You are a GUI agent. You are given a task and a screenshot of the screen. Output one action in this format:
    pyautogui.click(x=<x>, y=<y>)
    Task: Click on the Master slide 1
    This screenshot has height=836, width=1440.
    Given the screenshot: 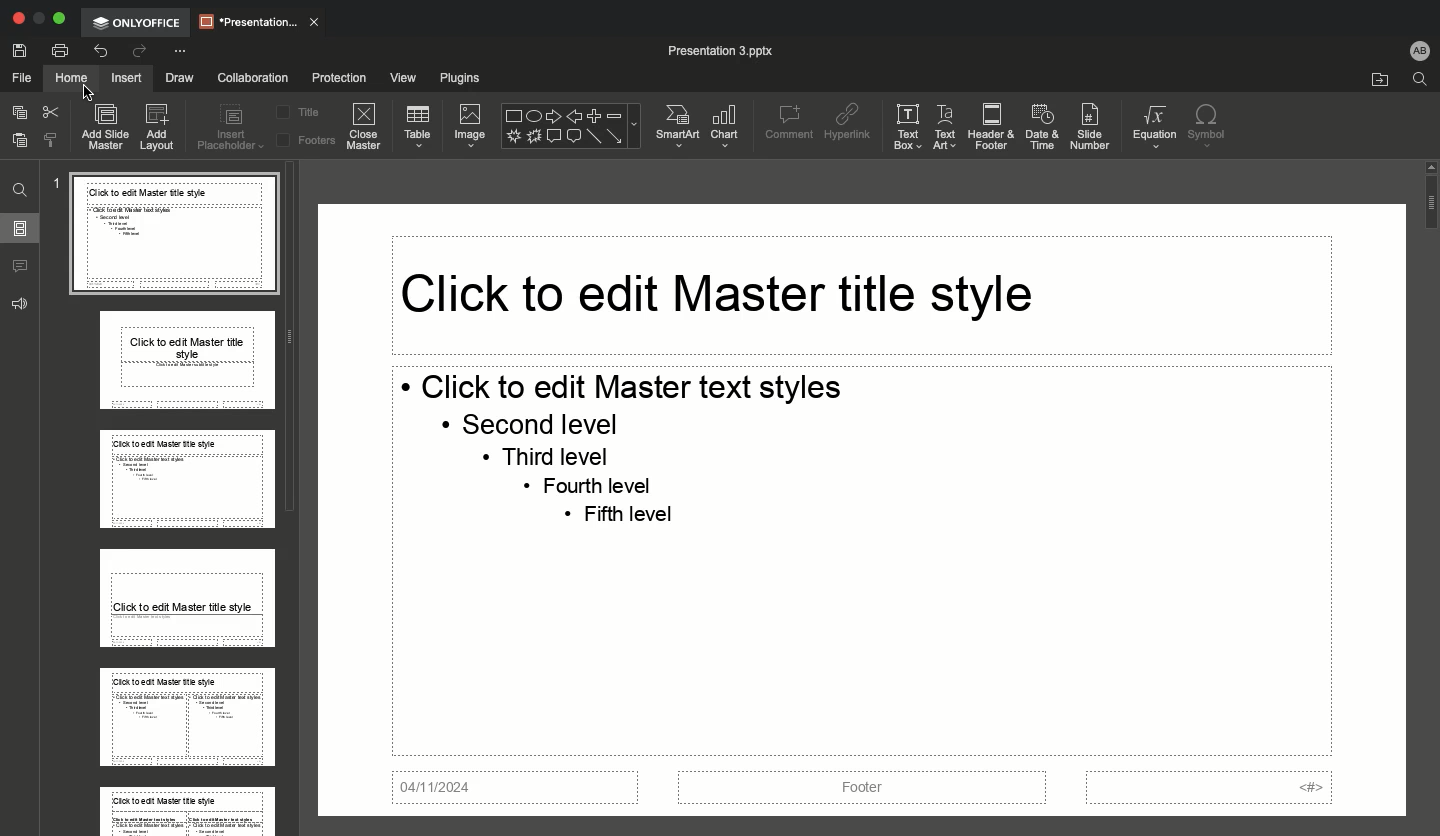 What is the action you would take?
    pyautogui.click(x=175, y=238)
    